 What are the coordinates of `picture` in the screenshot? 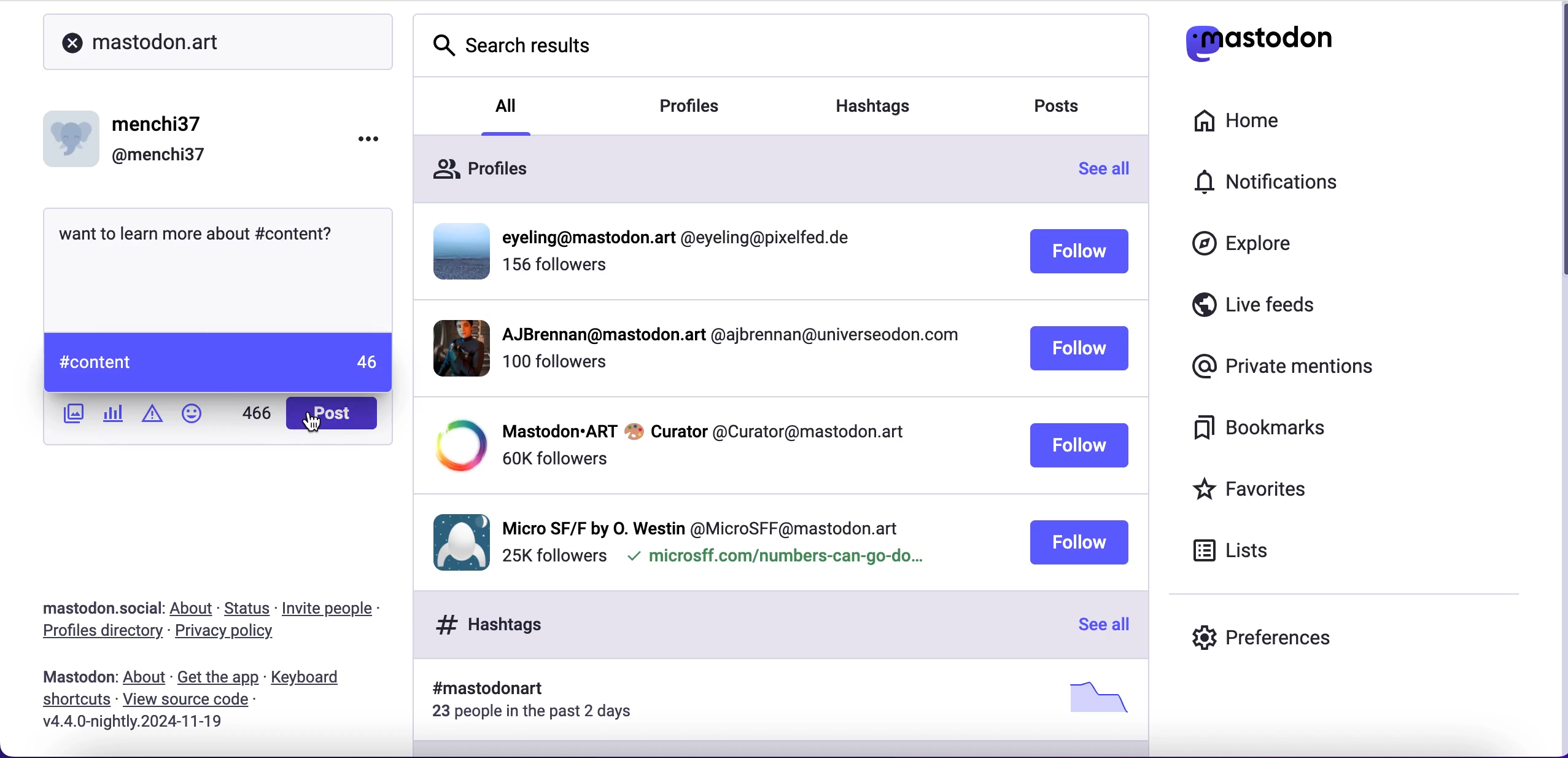 It's located at (1093, 697).